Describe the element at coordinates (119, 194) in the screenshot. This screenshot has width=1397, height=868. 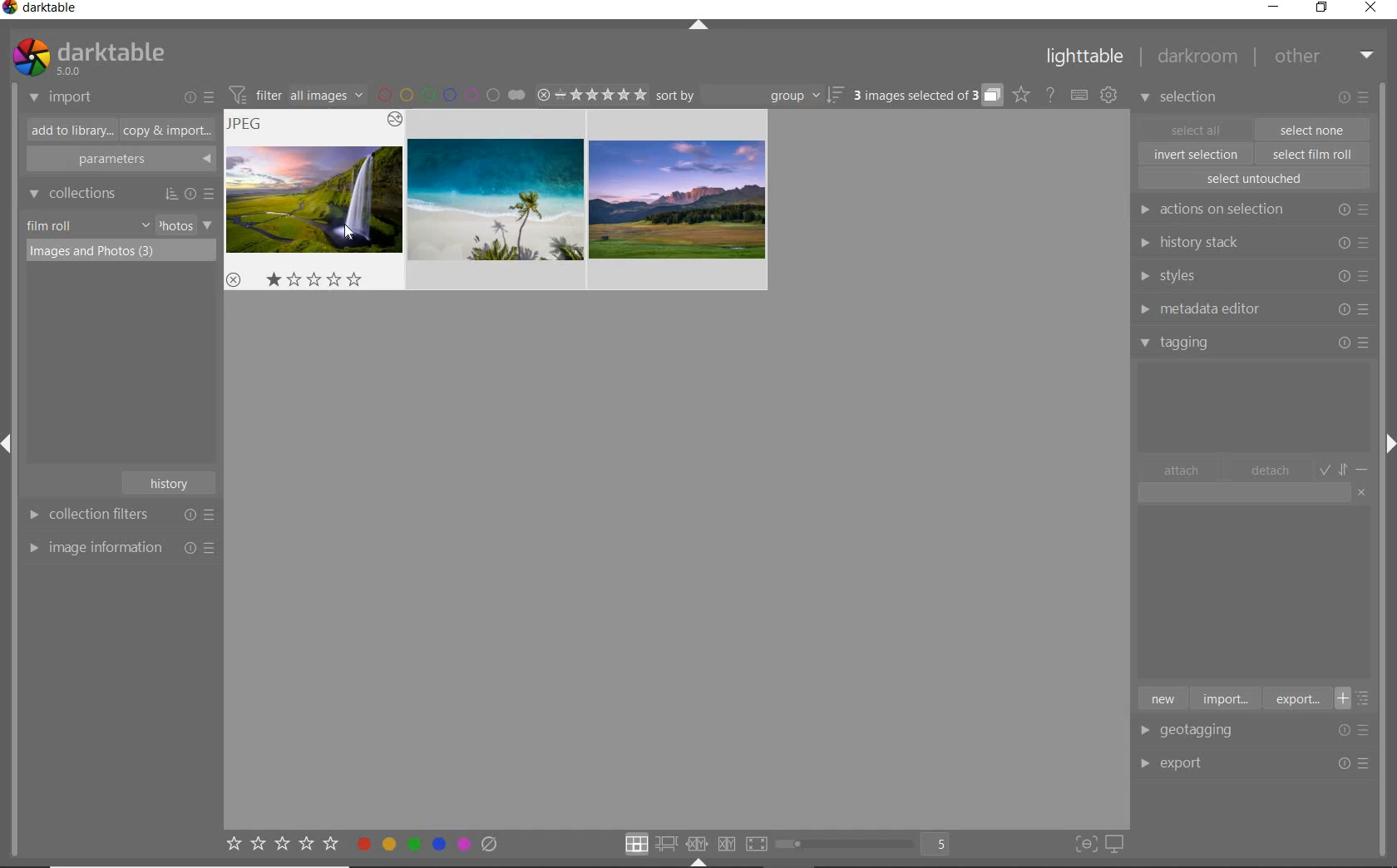
I see `collections` at that location.